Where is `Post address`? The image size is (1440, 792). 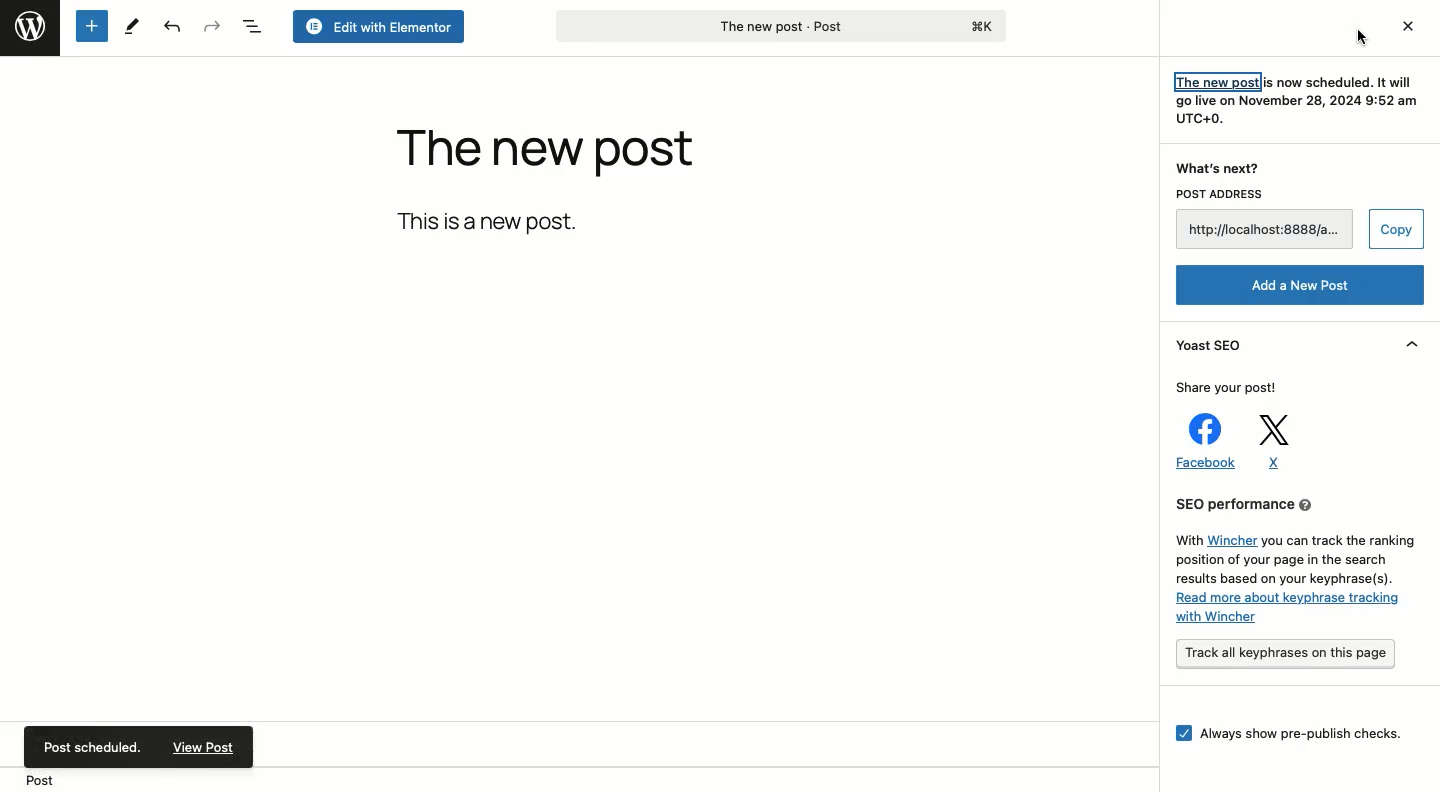 Post address is located at coordinates (1267, 194).